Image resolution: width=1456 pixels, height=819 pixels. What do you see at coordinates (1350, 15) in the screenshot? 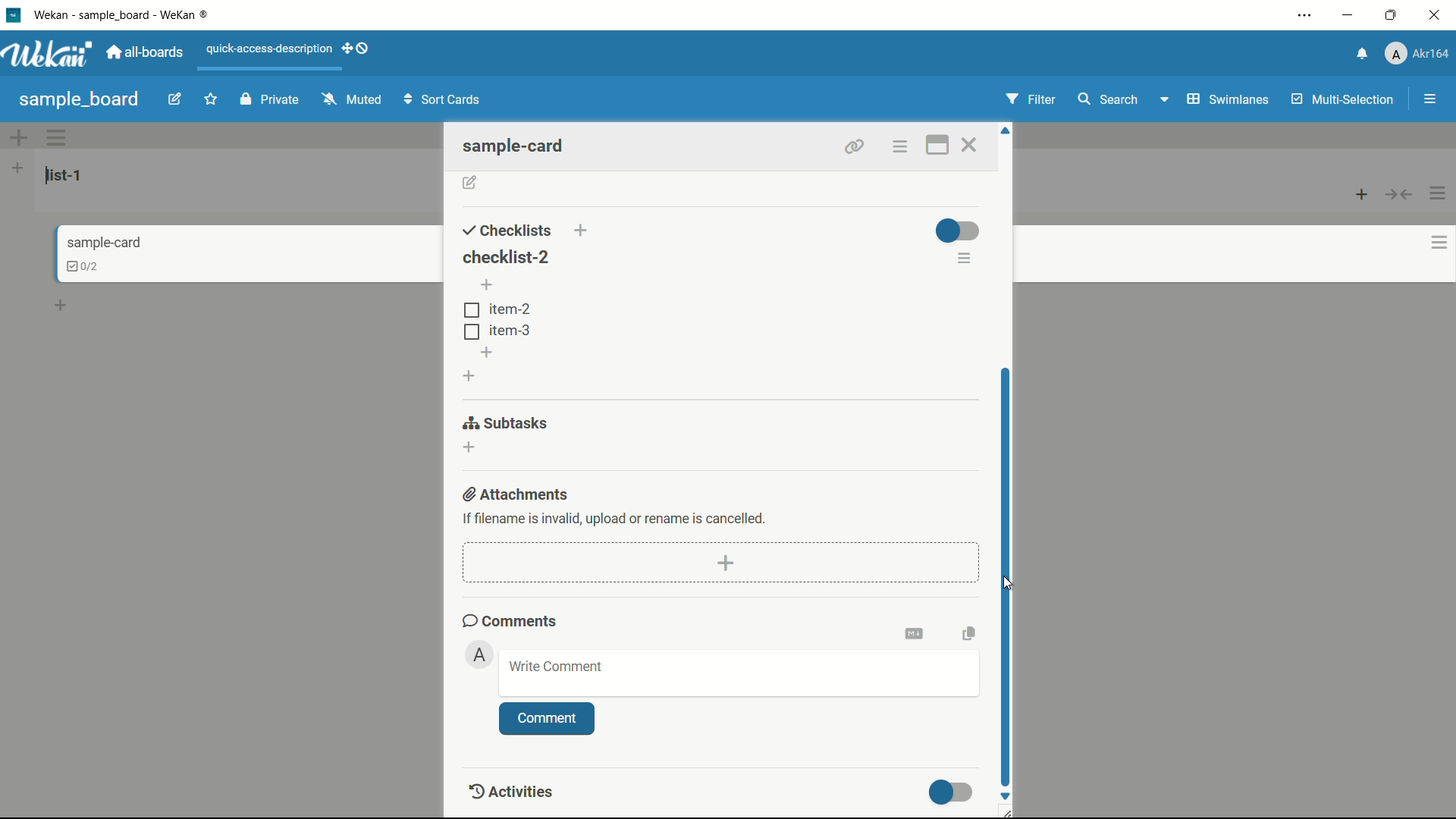
I see `minimize` at bounding box center [1350, 15].